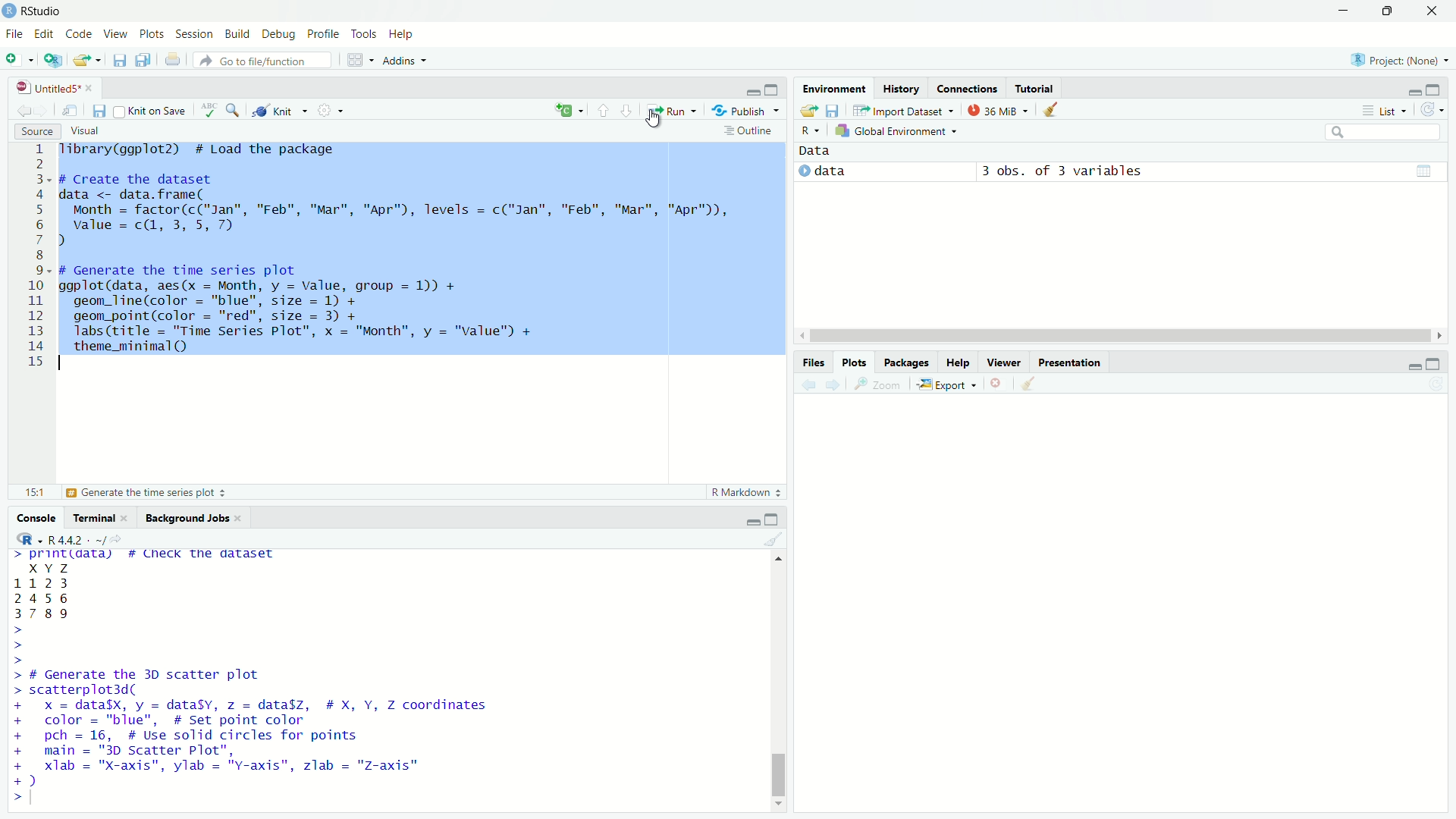  Describe the element at coordinates (899, 132) in the screenshot. I see `global environment` at that location.